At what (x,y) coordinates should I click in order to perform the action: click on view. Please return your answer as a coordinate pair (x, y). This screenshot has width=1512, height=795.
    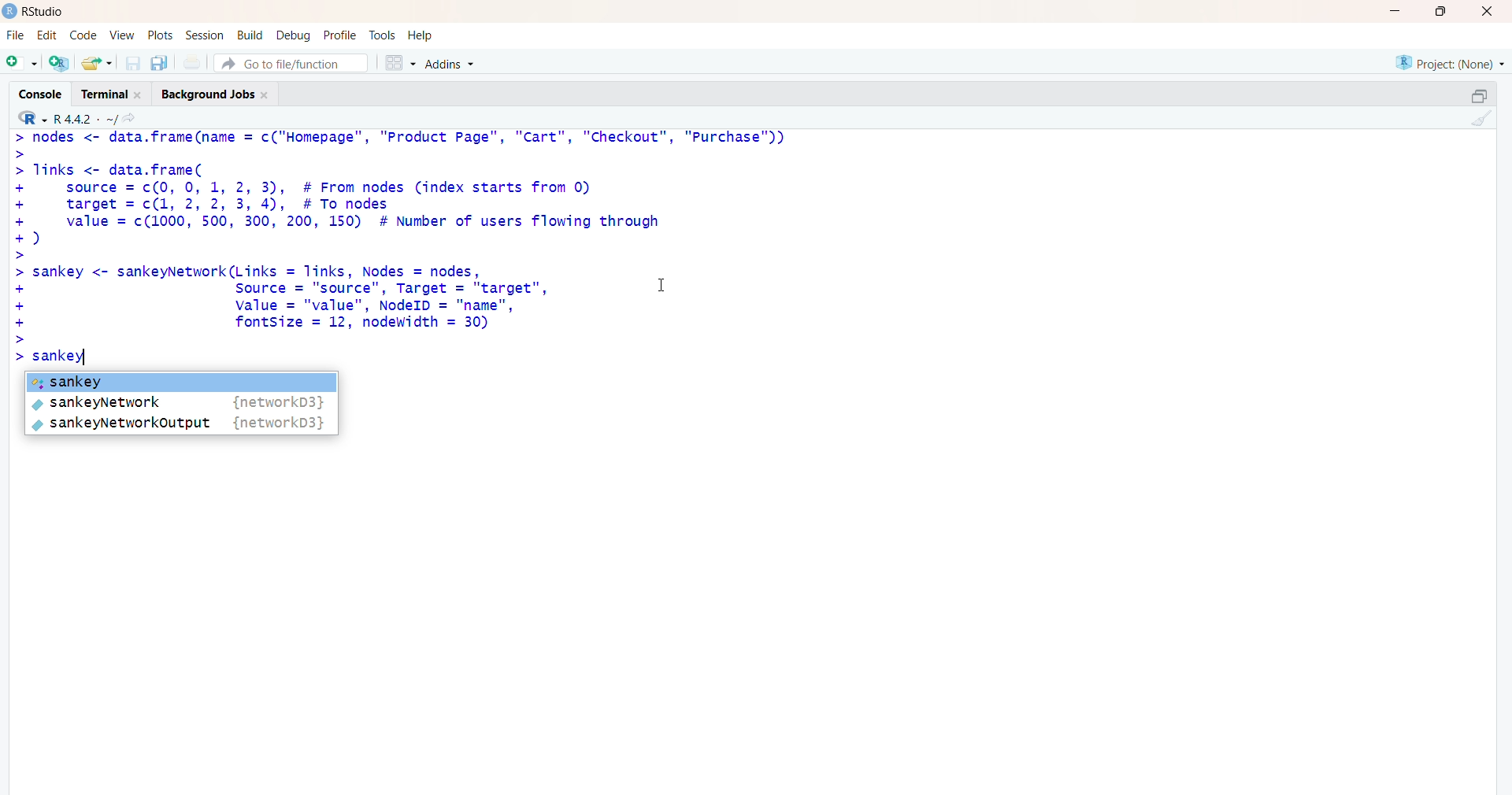
    Looking at the image, I should click on (120, 35).